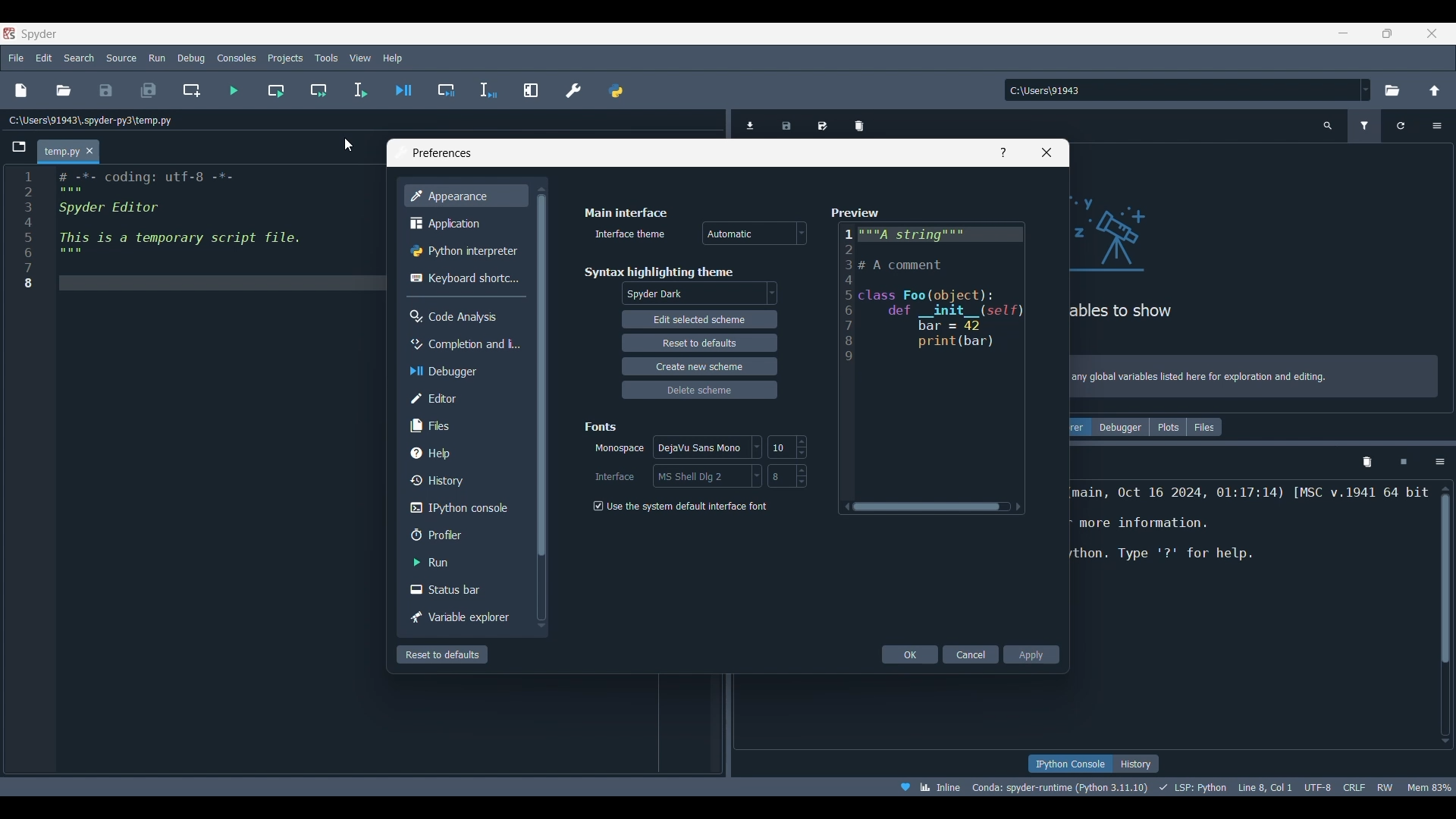  What do you see at coordinates (661, 271) in the screenshot?
I see `Syntax highlighting theme` at bounding box center [661, 271].